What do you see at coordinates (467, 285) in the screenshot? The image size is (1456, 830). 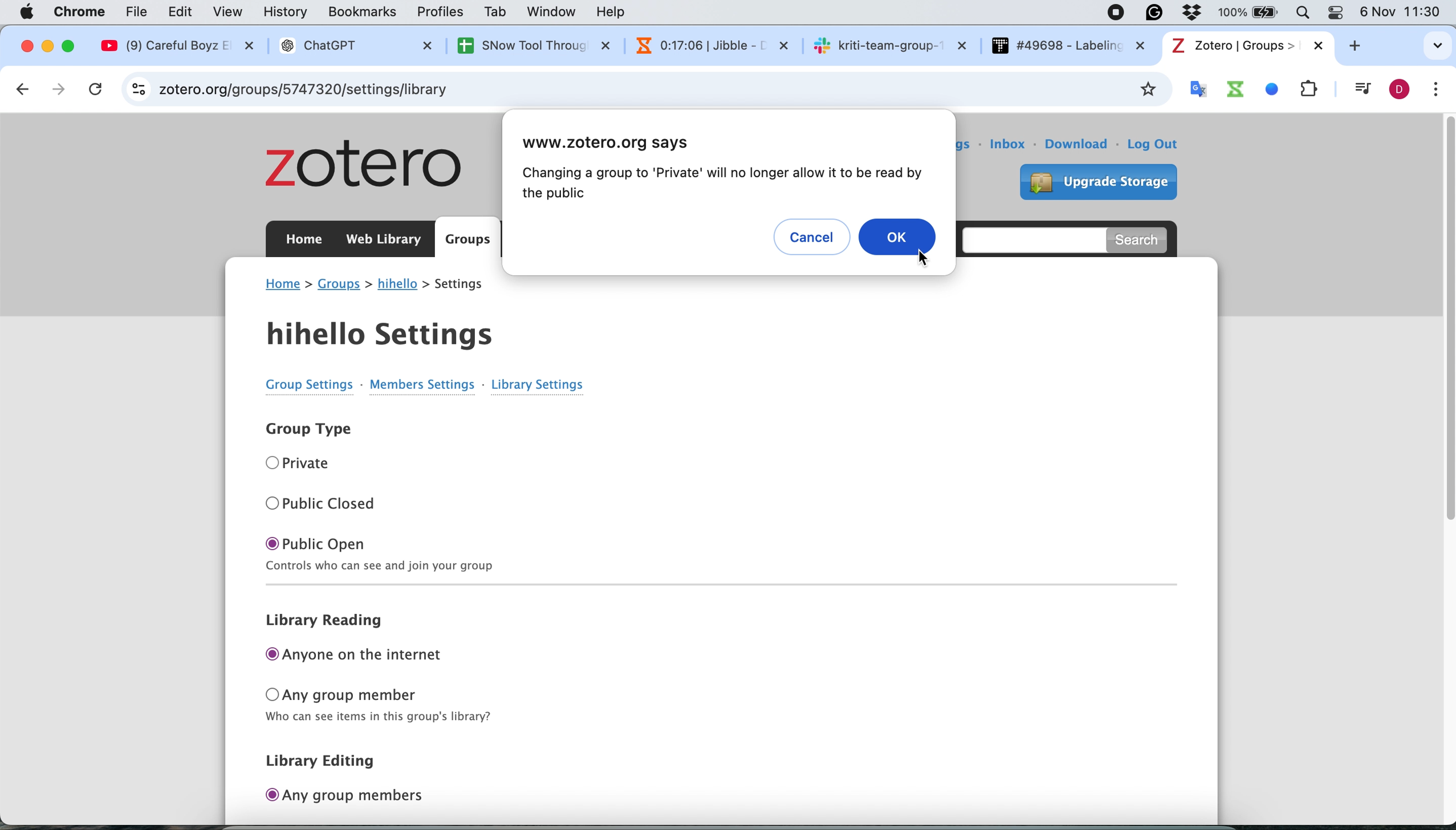 I see `settings` at bounding box center [467, 285].